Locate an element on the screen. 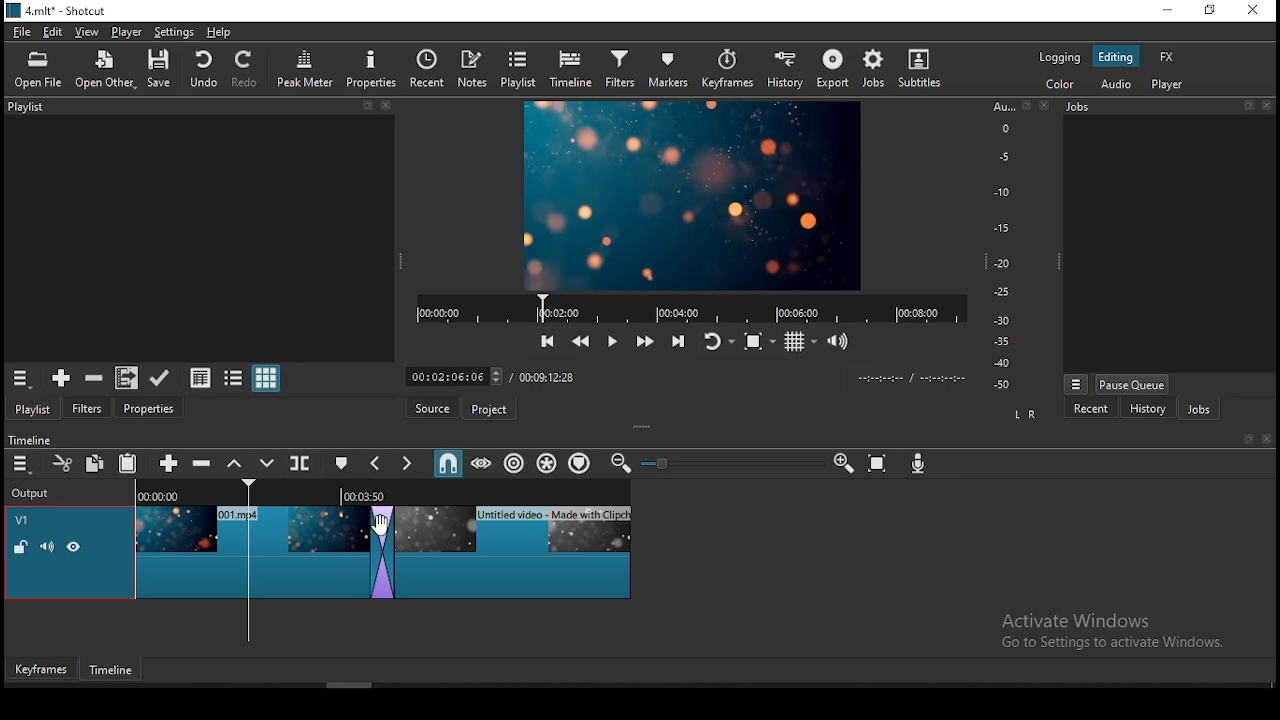 This screenshot has height=720, width=1280. play quickly backwards is located at coordinates (579, 339).